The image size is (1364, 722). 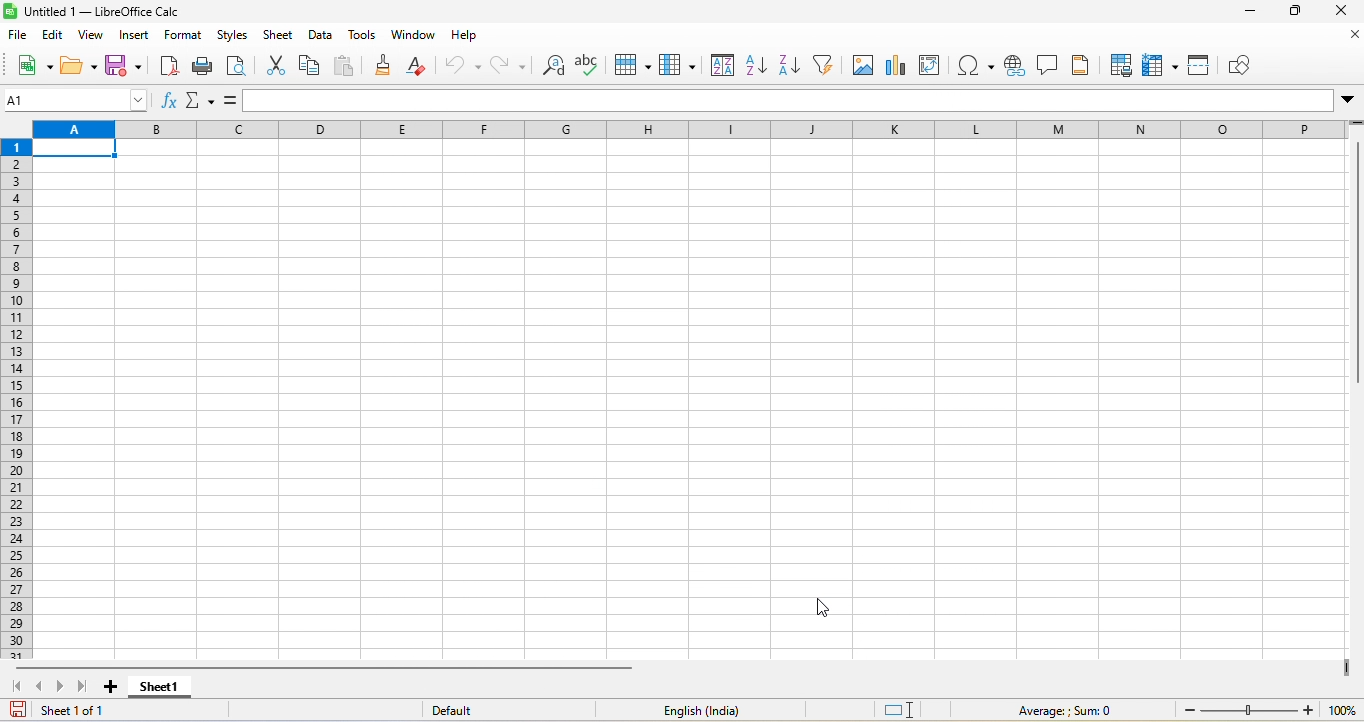 I want to click on first sheet, so click(x=16, y=687).